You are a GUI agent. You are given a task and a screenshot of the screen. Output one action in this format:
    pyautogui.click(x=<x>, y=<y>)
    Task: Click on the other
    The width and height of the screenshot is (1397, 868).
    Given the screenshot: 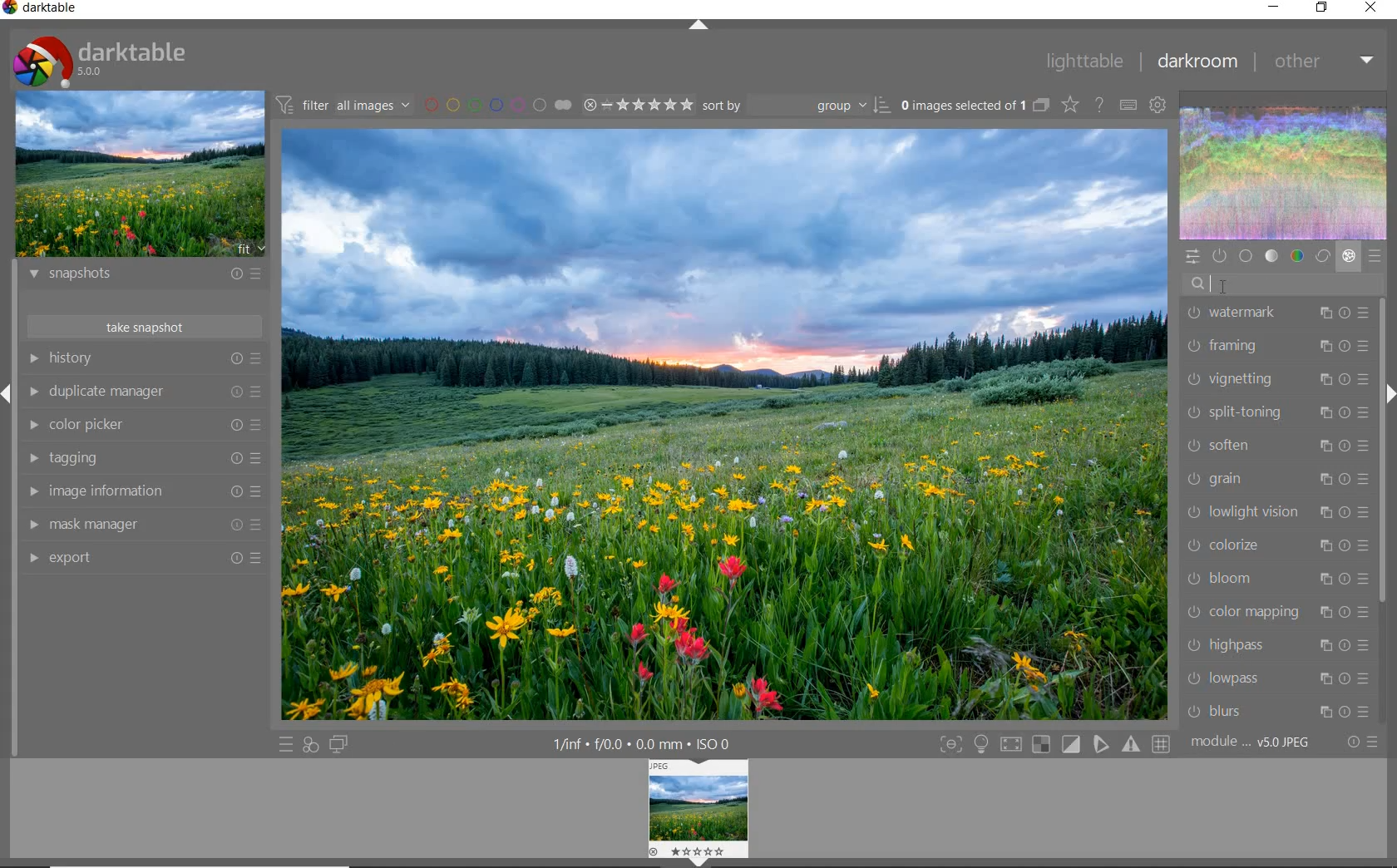 What is the action you would take?
    pyautogui.click(x=1325, y=63)
    